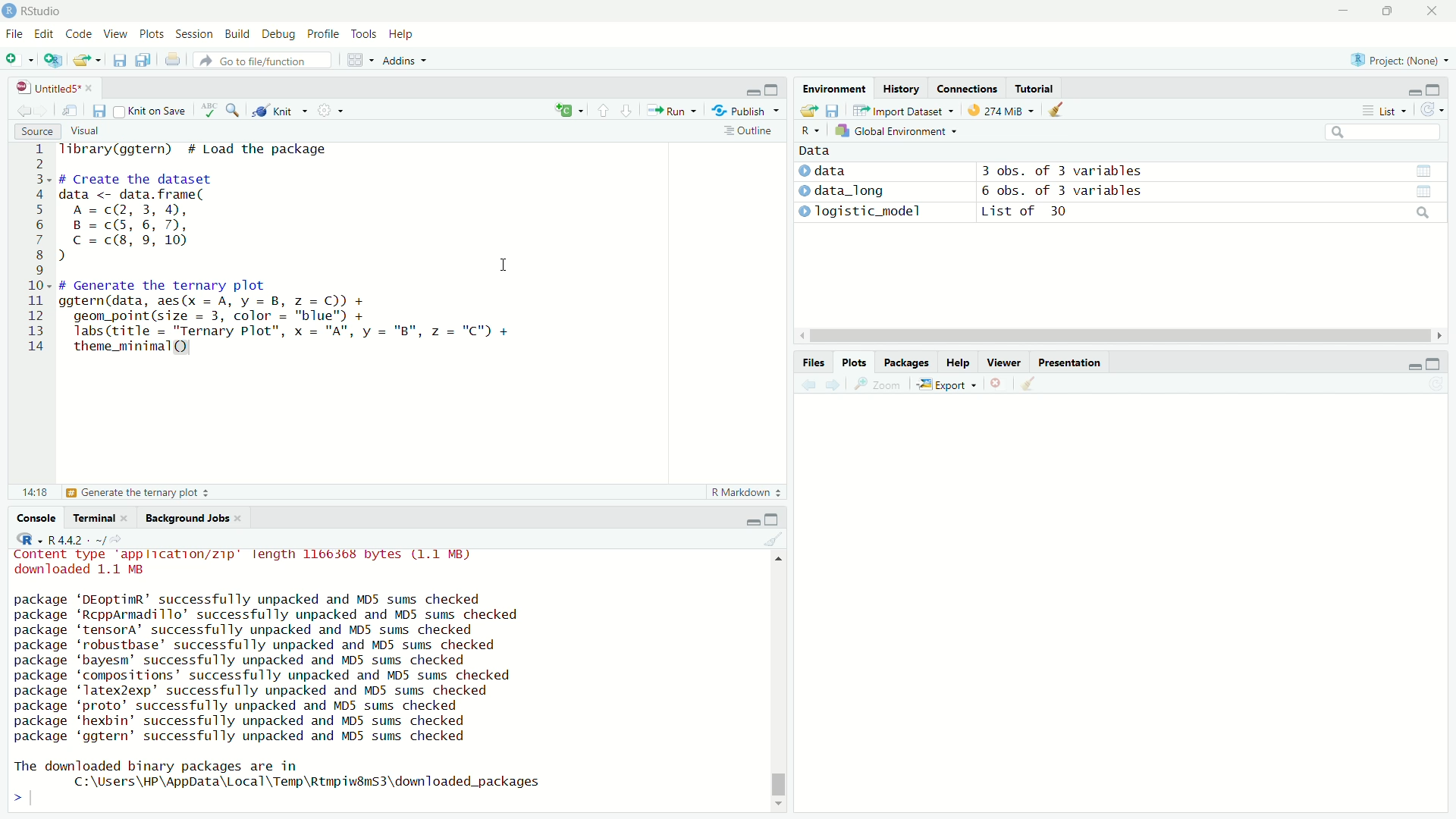  Describe the element at coordinates (899, 110) in the screenshot. I see `Import Dataset` at that location.